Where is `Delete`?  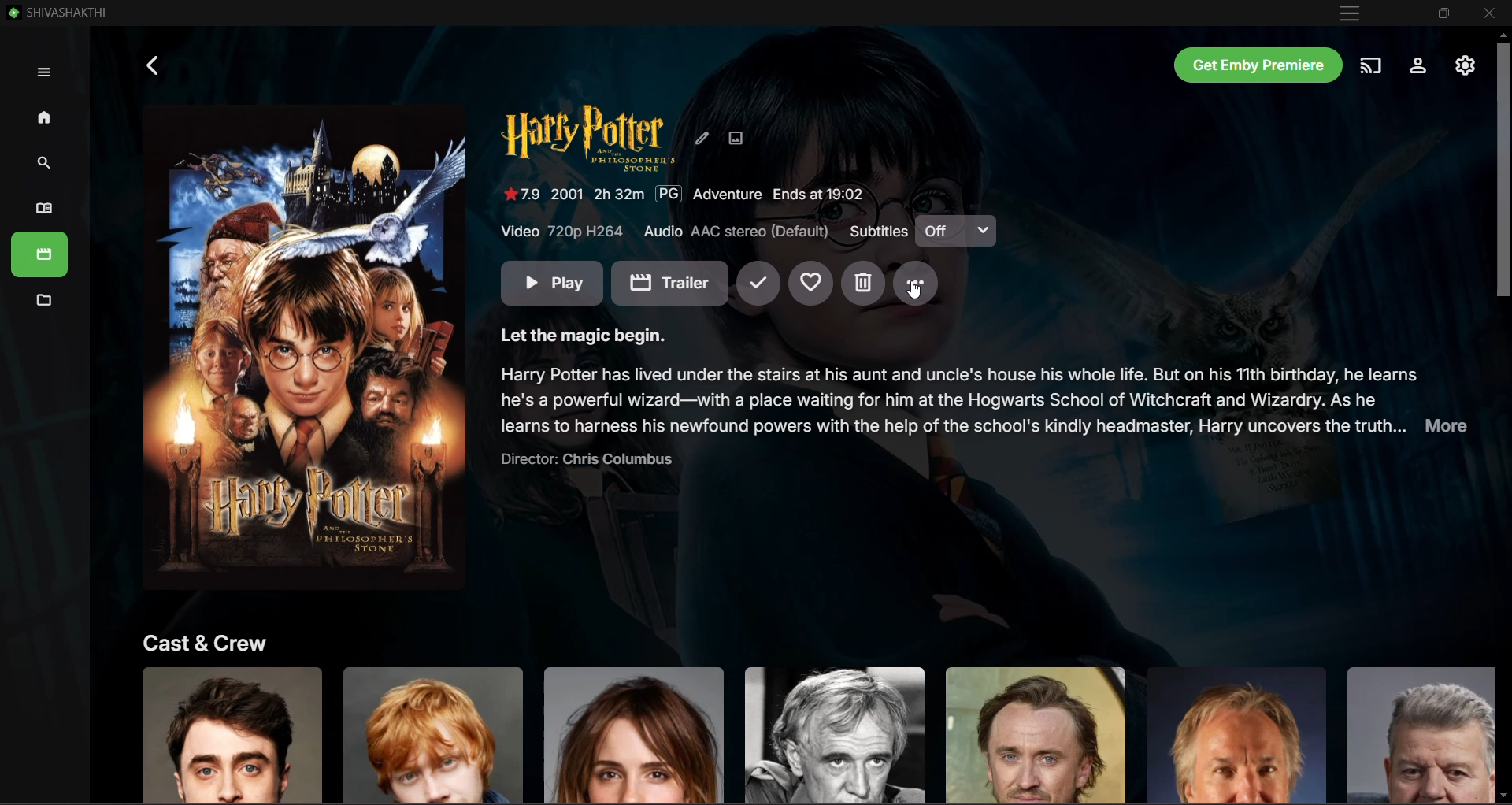
Delete is located at coordinates (863, 284).